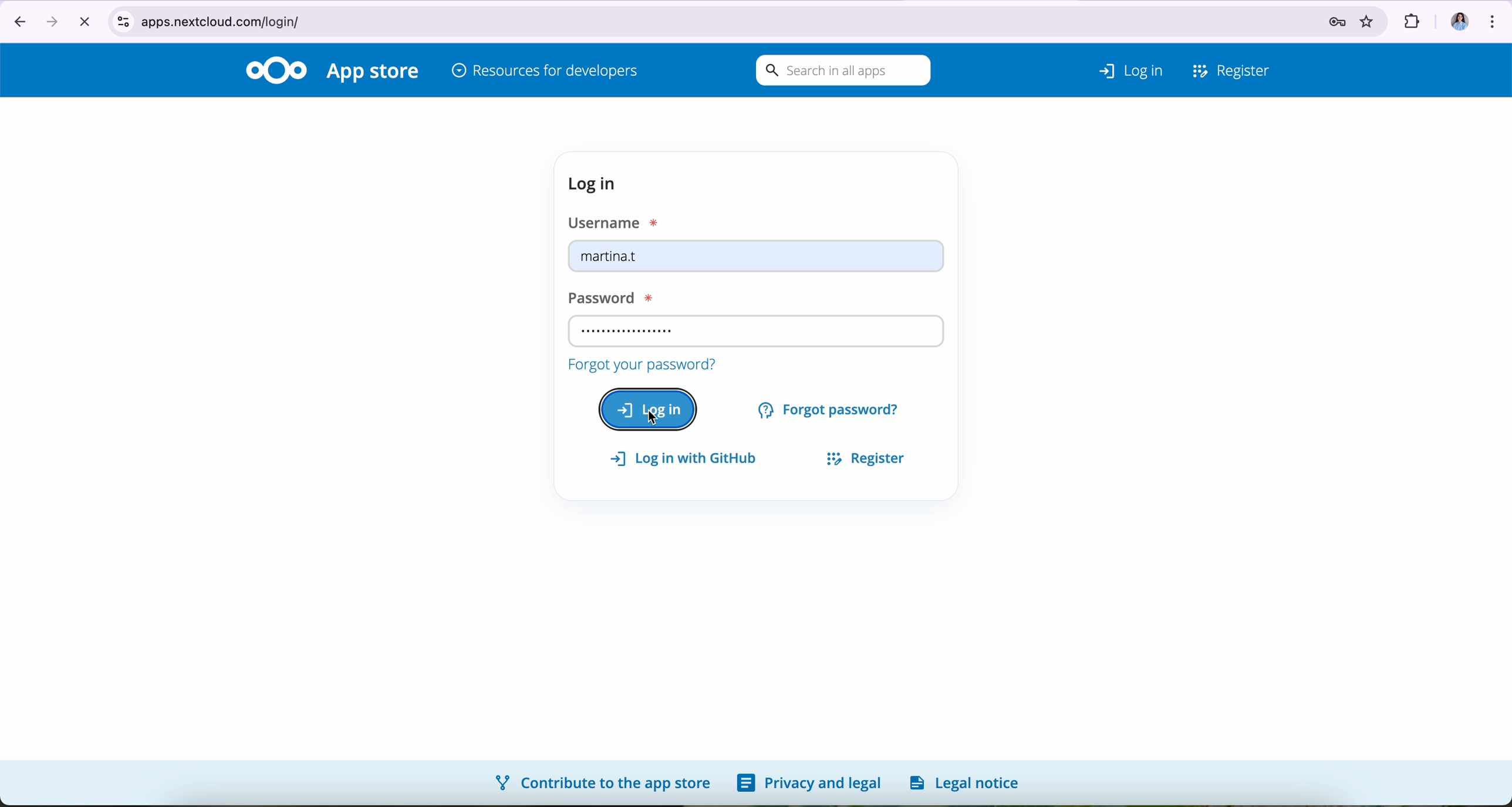 The height and width of the screenshot is (807, 1512). I want to click on password, so click(755, 330).